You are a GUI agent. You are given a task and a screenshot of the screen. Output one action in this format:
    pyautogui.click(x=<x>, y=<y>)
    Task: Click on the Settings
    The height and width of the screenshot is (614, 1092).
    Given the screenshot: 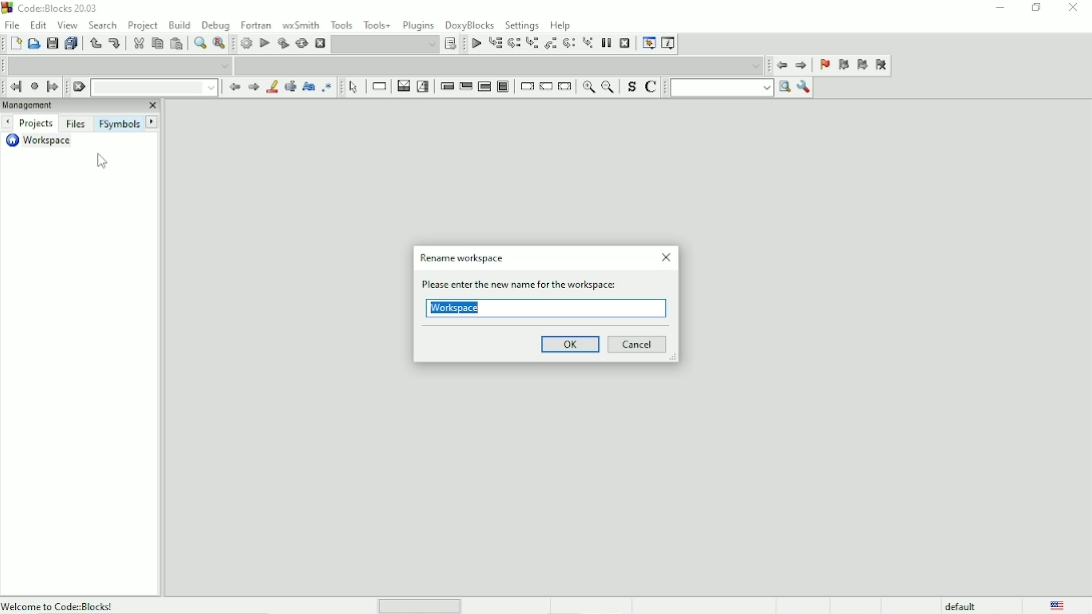 What is the action you would take?
    pyautogui.click(x=522, y=25)
    